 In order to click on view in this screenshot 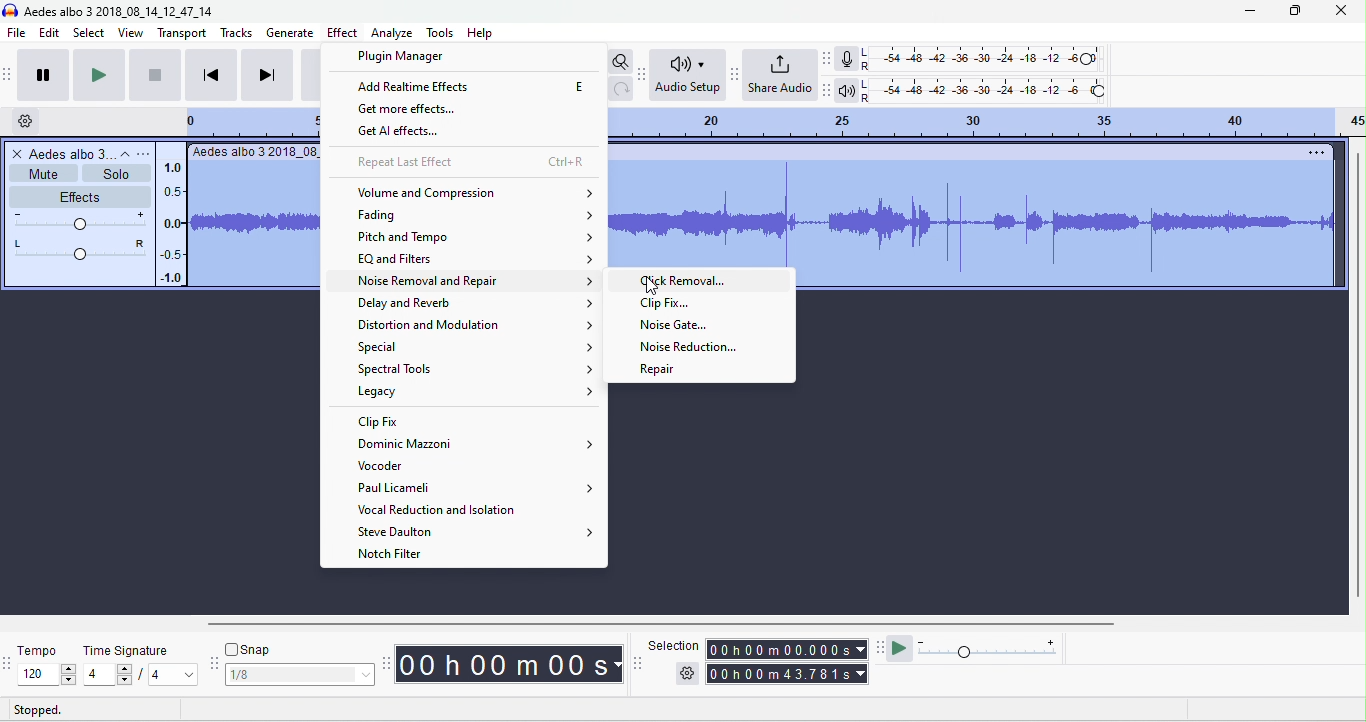, I will do `click(131, 33)`.